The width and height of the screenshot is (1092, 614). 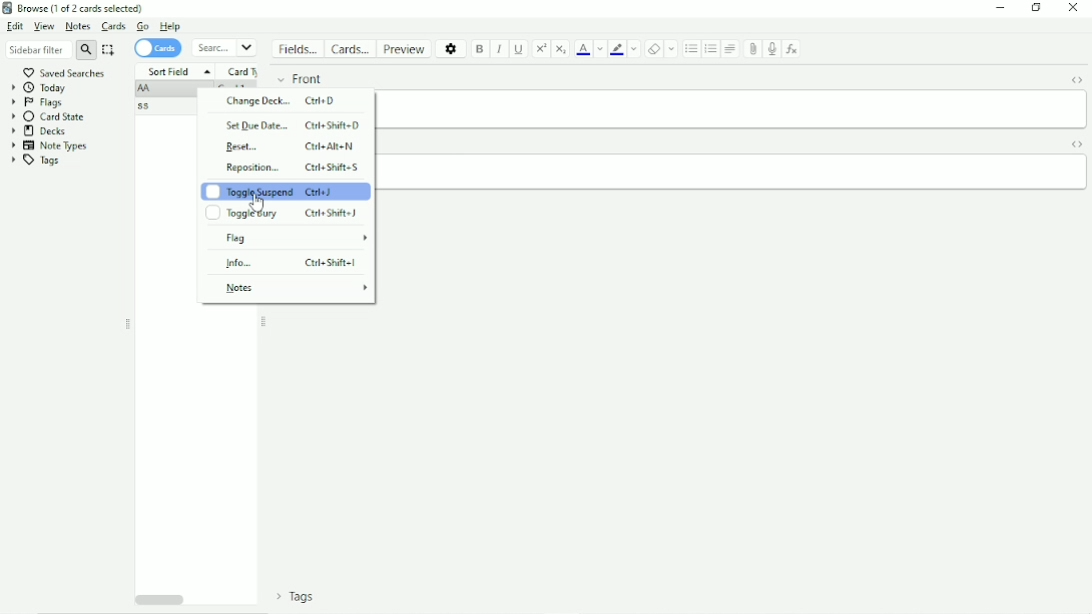 What do you see at coordinates (44, 27) in the screenshot?
I see `View` at bounding box center [44, 27].